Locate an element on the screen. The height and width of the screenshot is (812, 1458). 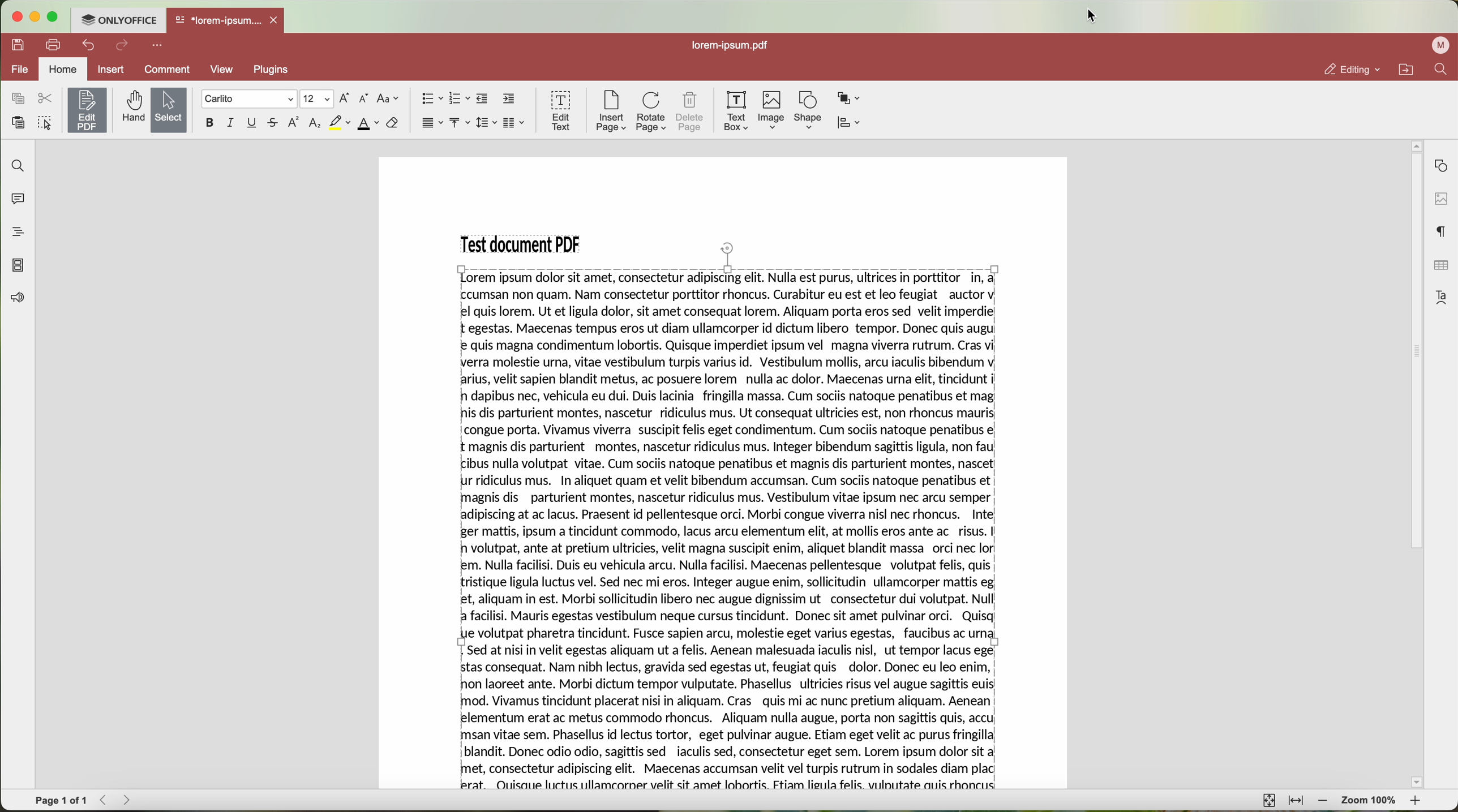
delete page is located at coordinates (691, 113).